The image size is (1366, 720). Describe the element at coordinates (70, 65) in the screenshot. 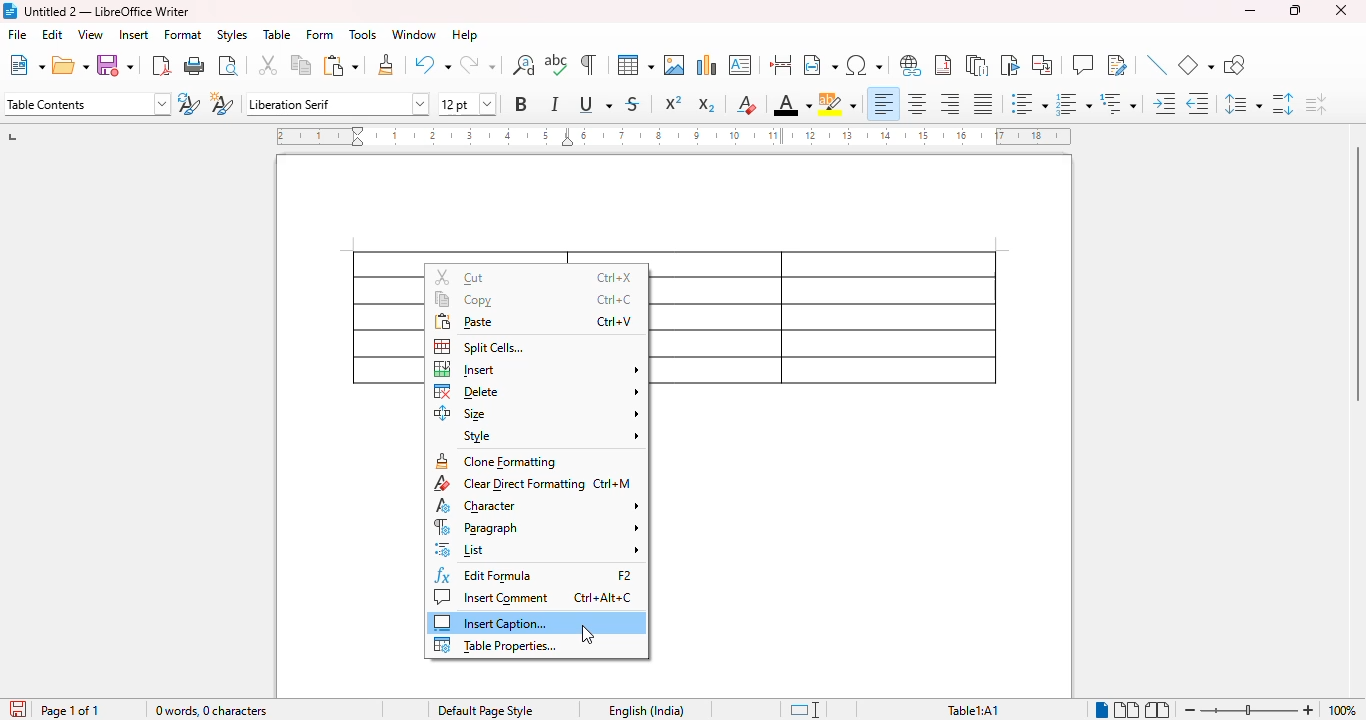

I see `open` at that location.